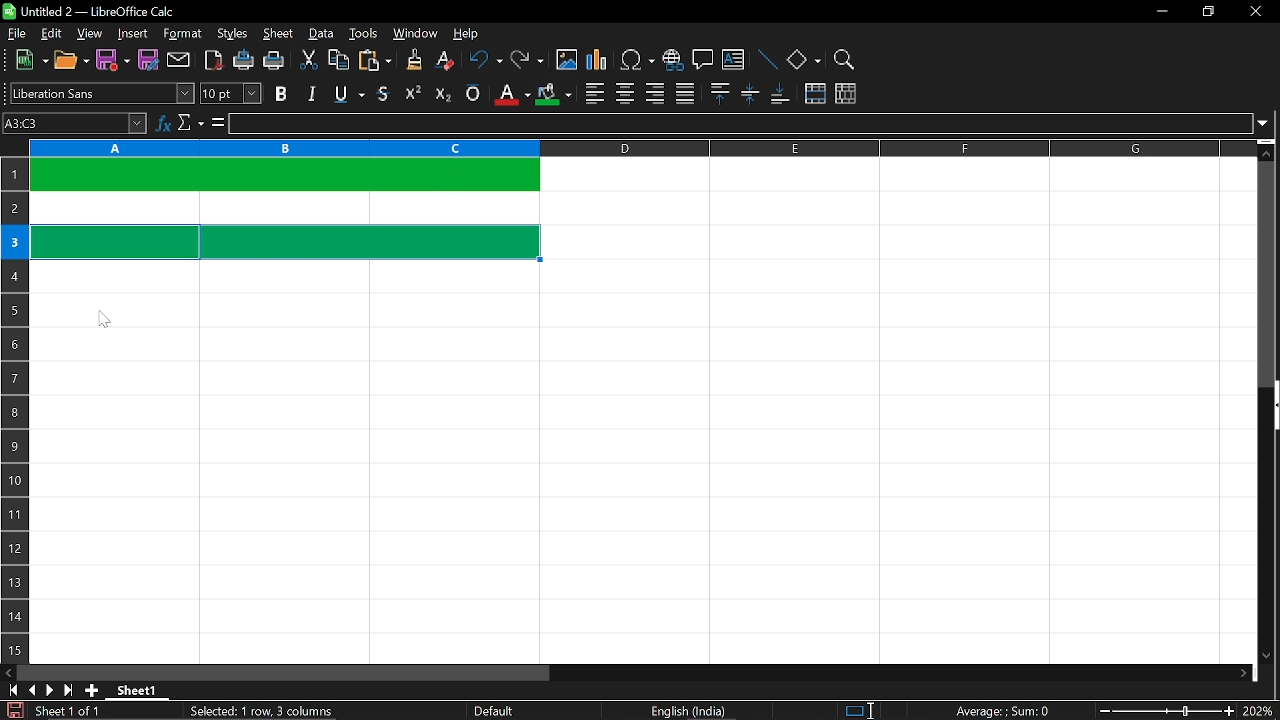  Describe the element at coordinates (374, 61) in the screenshot. I see `paste` at that location.